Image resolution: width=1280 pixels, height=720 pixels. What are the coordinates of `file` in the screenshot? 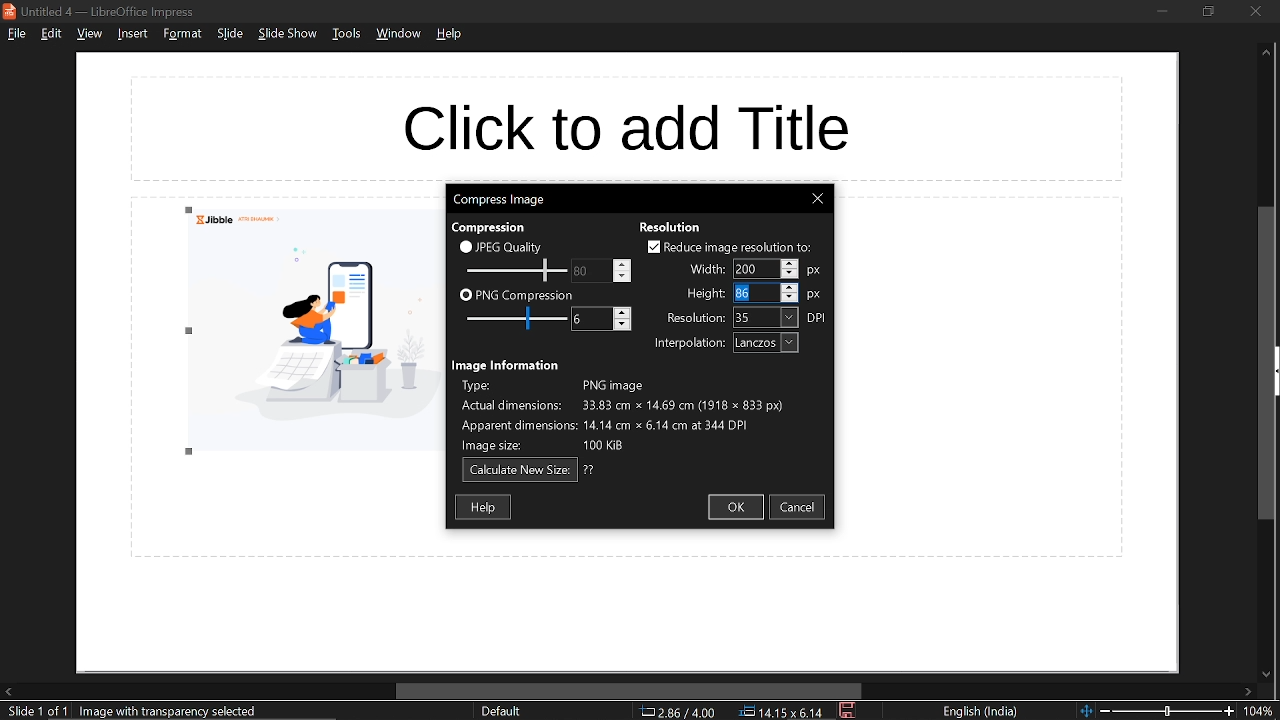 It's located at (16, 33).